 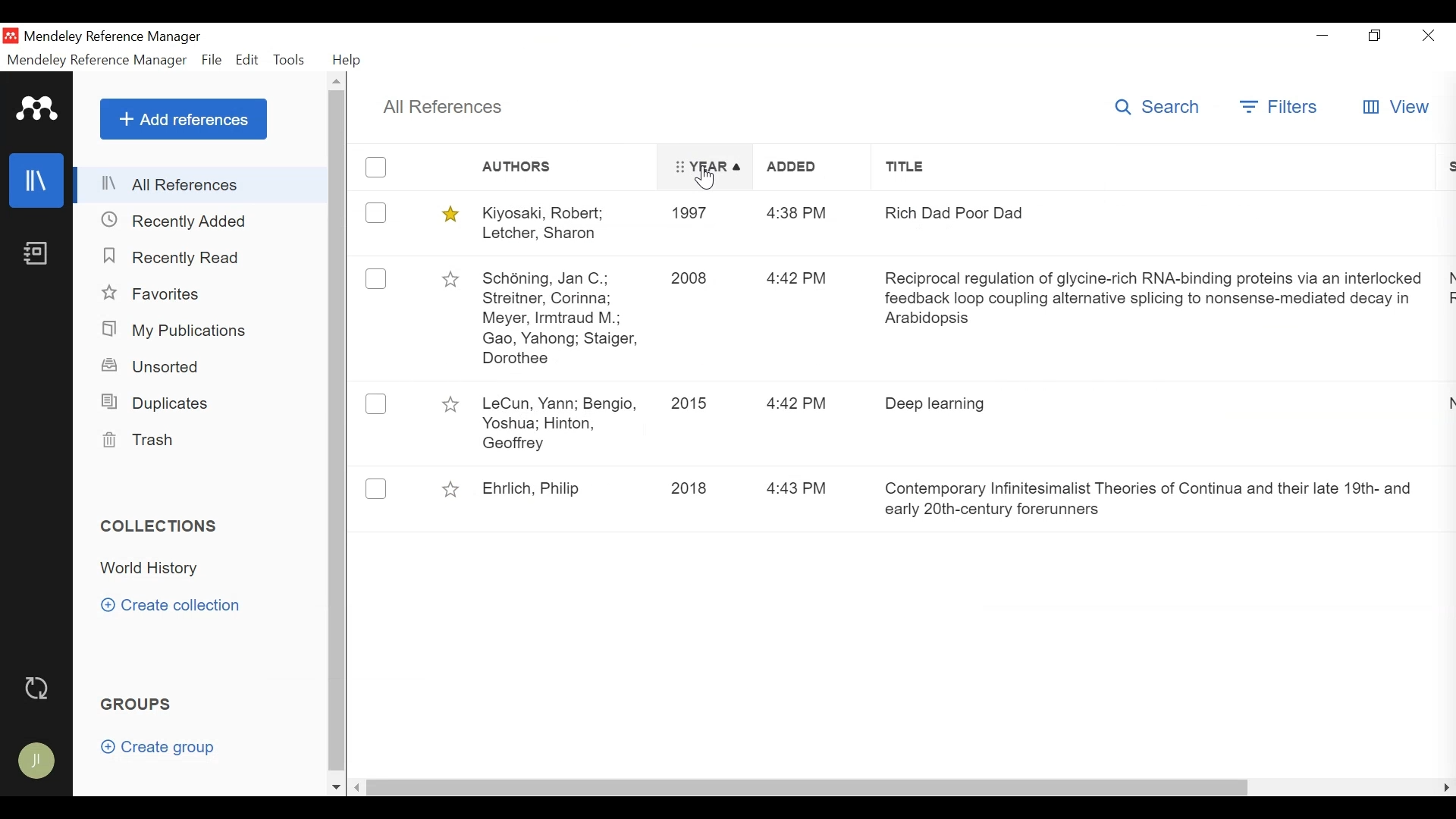 I want to click on 4:42 PM, so click(x=801, y=281).